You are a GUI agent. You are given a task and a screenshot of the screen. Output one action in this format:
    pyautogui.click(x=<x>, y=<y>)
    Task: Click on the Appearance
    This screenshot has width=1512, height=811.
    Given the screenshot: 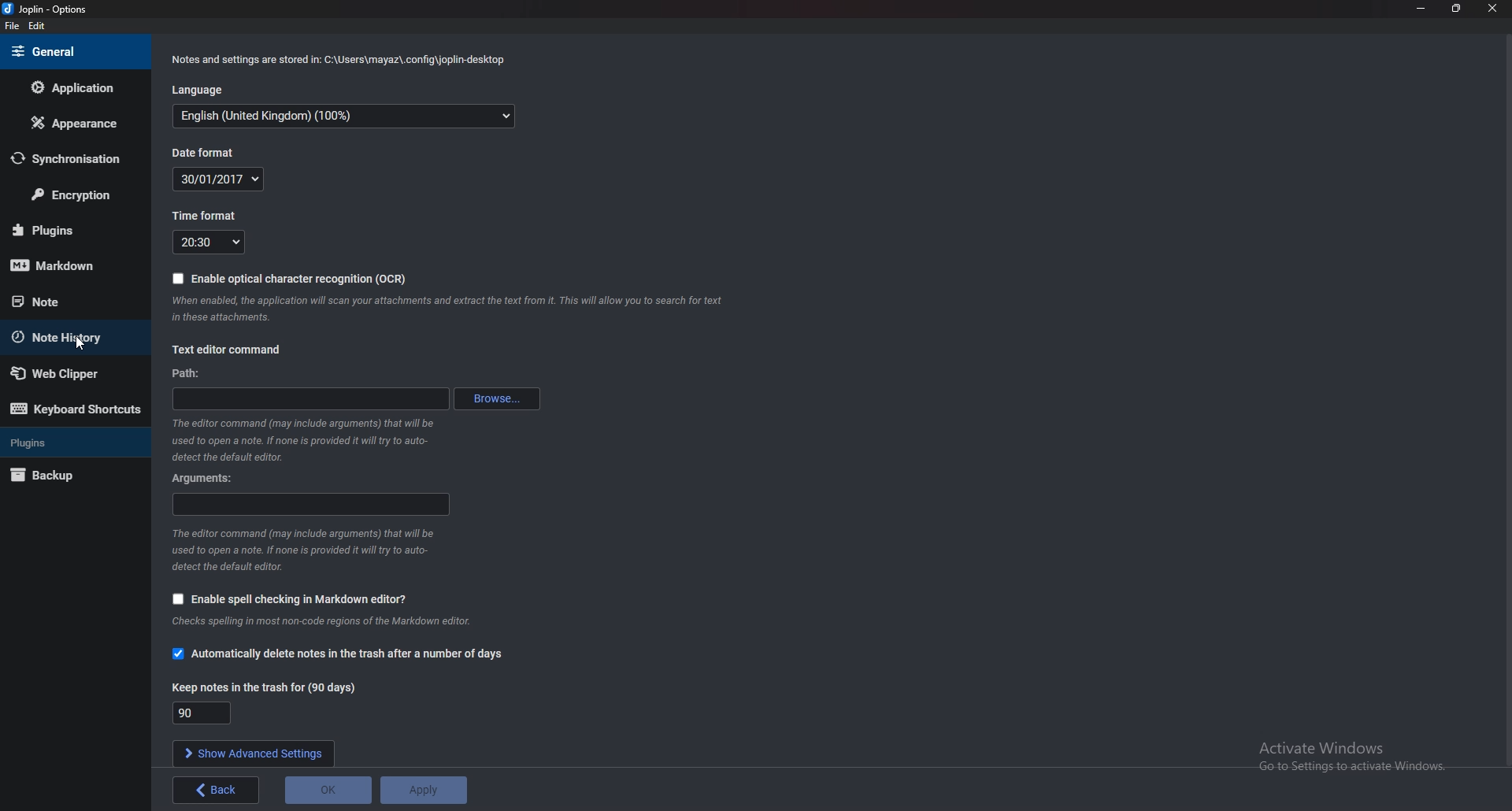 What is the action you would take?
    pyautogui.click(x=71, y=127)
    